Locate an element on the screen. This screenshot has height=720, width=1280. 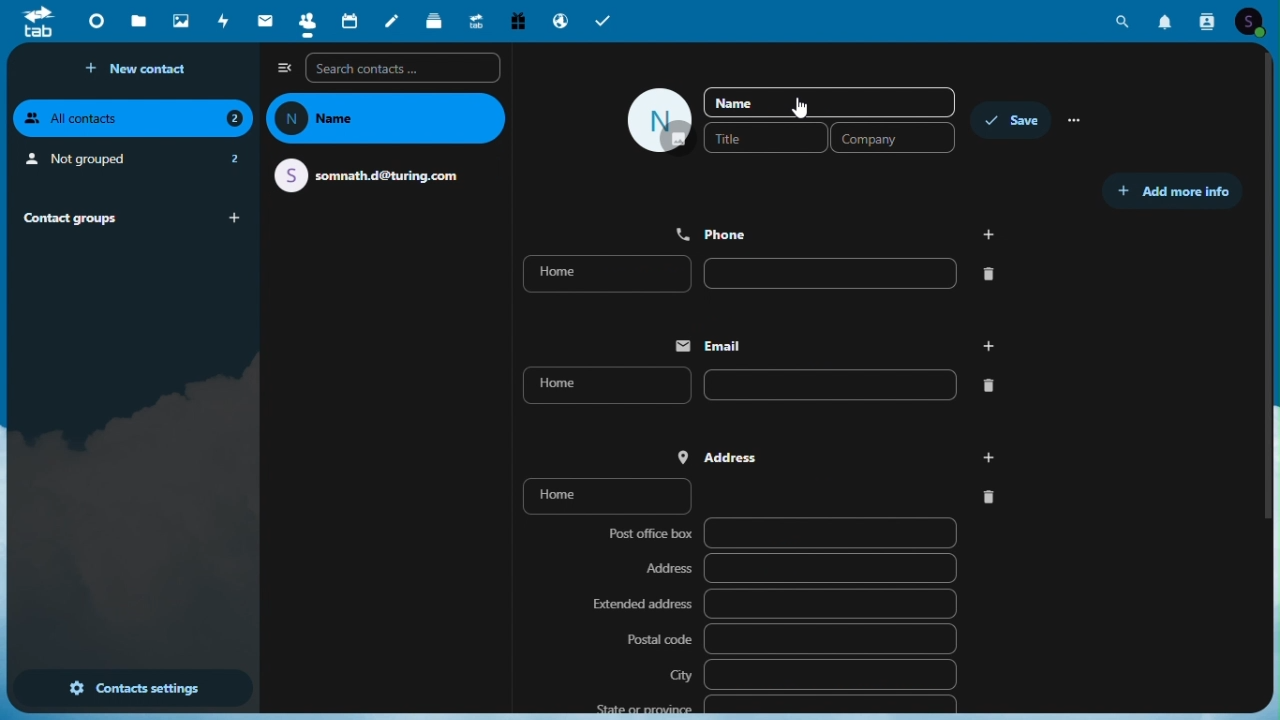
All contacts is located at coordinates (133, 118).